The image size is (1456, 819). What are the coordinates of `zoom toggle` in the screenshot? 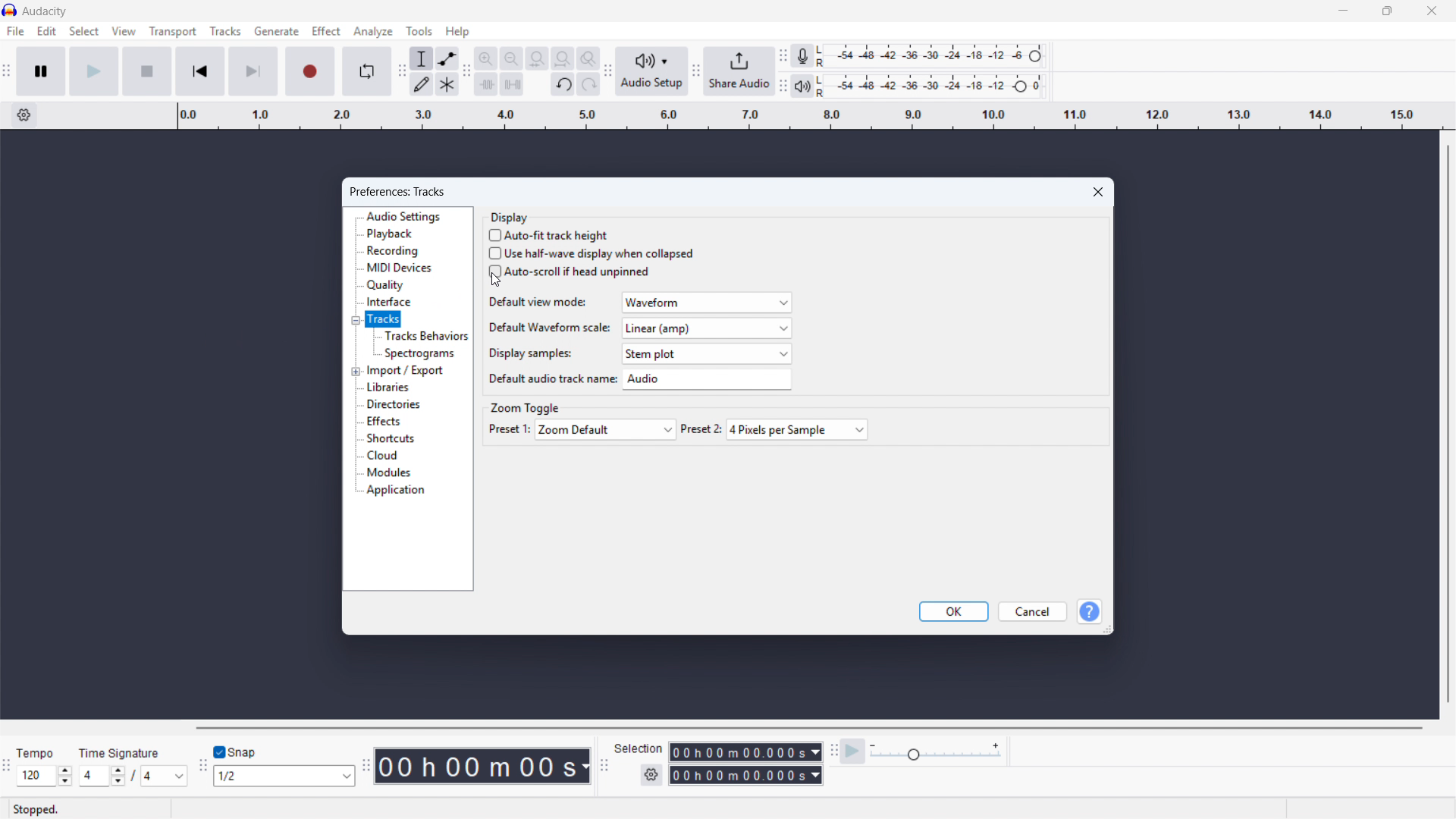 It's located at (525, 407).